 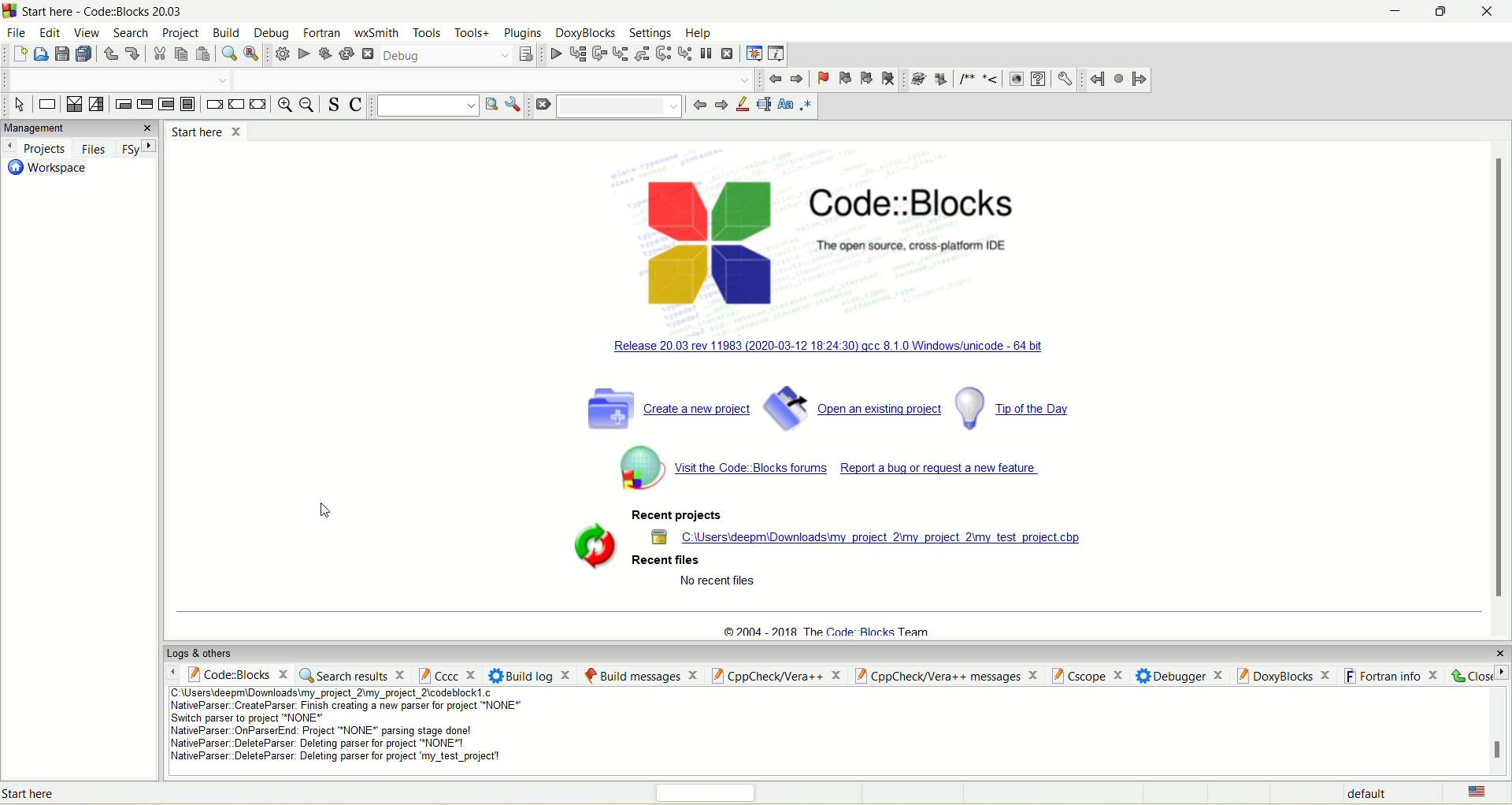 What do you see at coordinates (1119, 78) in the screenshot?
I see `last jump` at bounding box center [1119, 78].